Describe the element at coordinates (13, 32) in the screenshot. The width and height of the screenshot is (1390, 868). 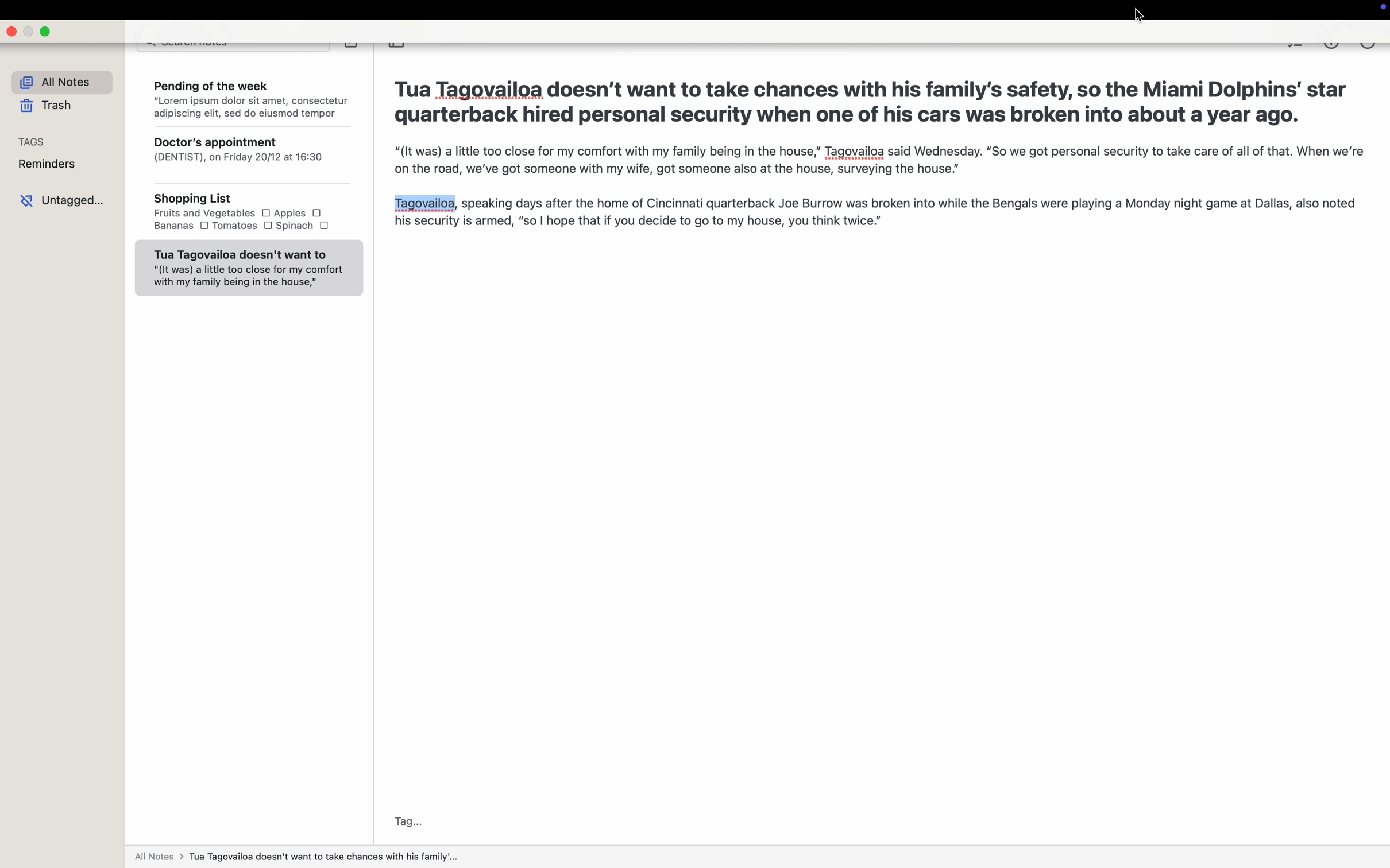
I see `close app` at that location.